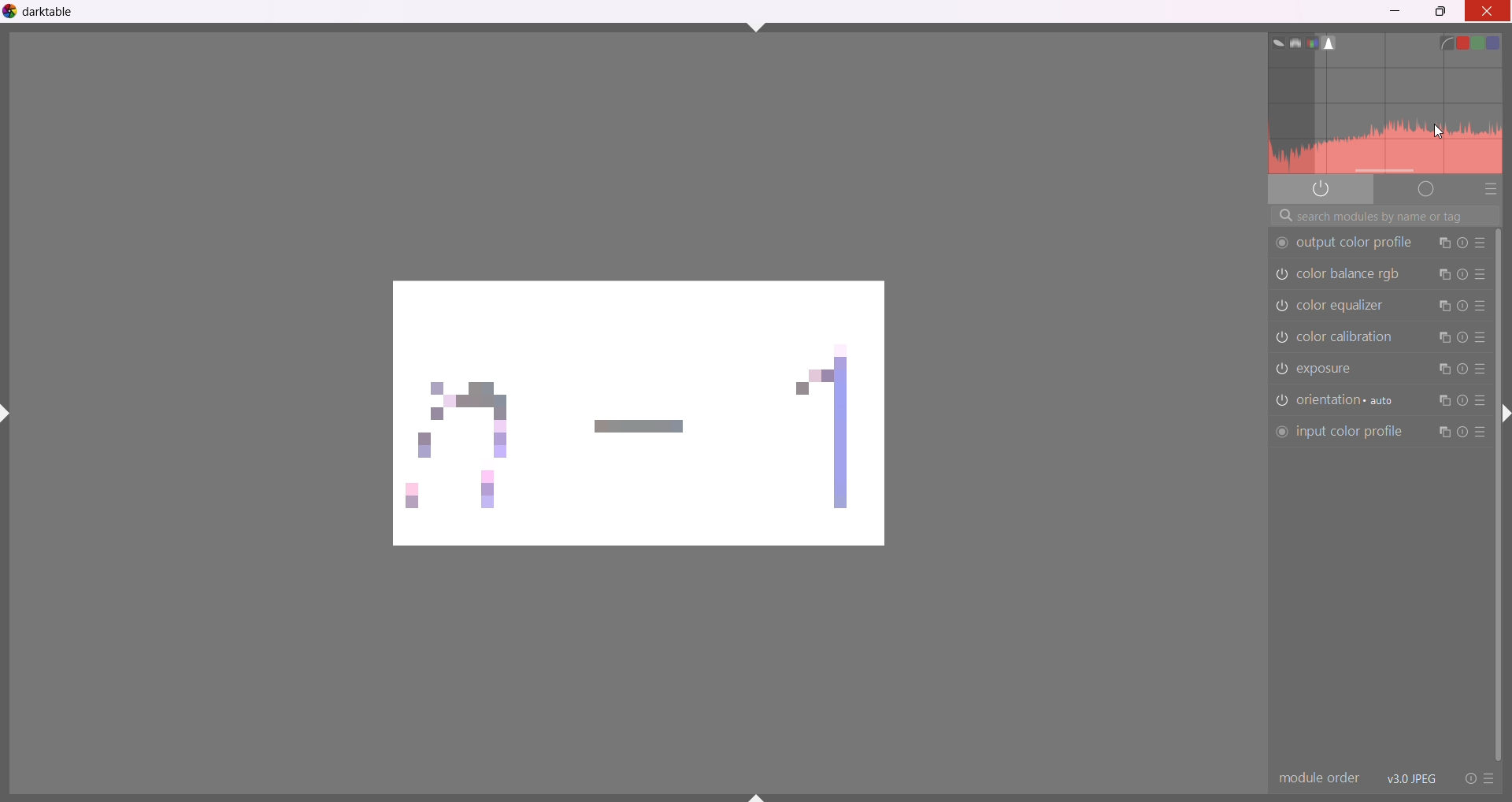 The height and width of the screenshot is (802, 1512). I want to click on instance, so click(1443, 371).